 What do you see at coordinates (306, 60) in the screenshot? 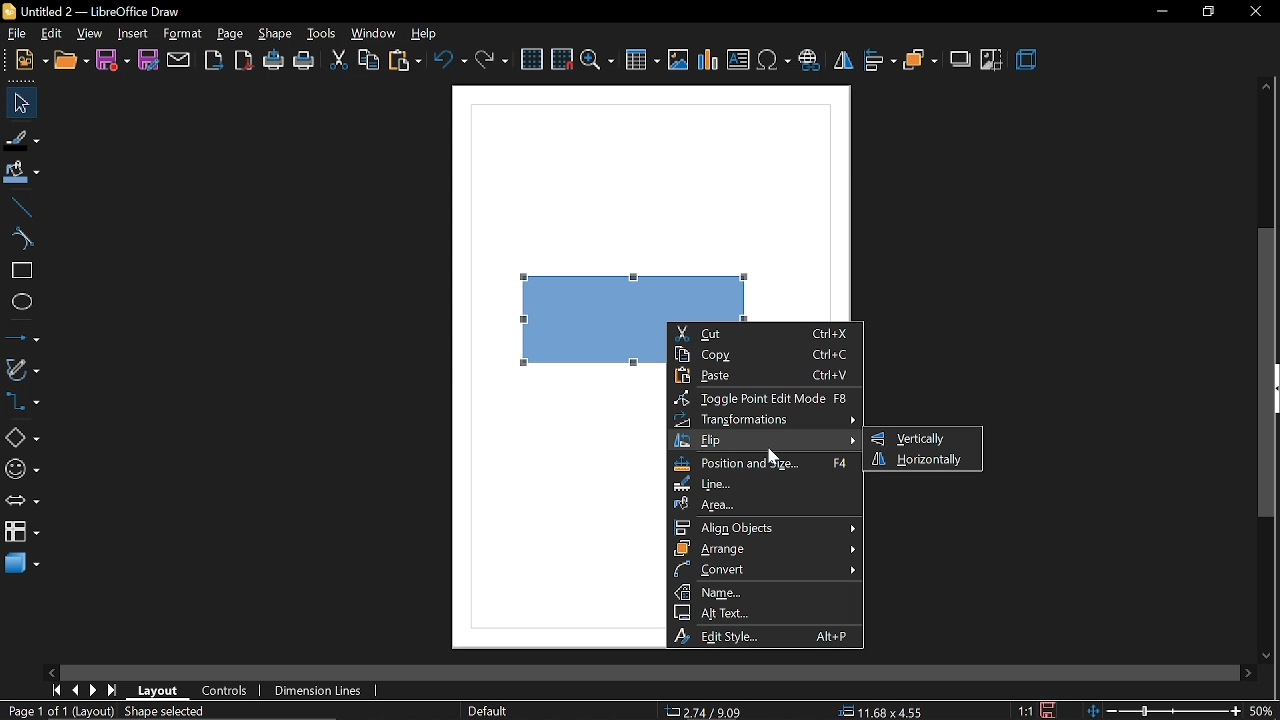
I see `print` at bounding box center [306, 60].